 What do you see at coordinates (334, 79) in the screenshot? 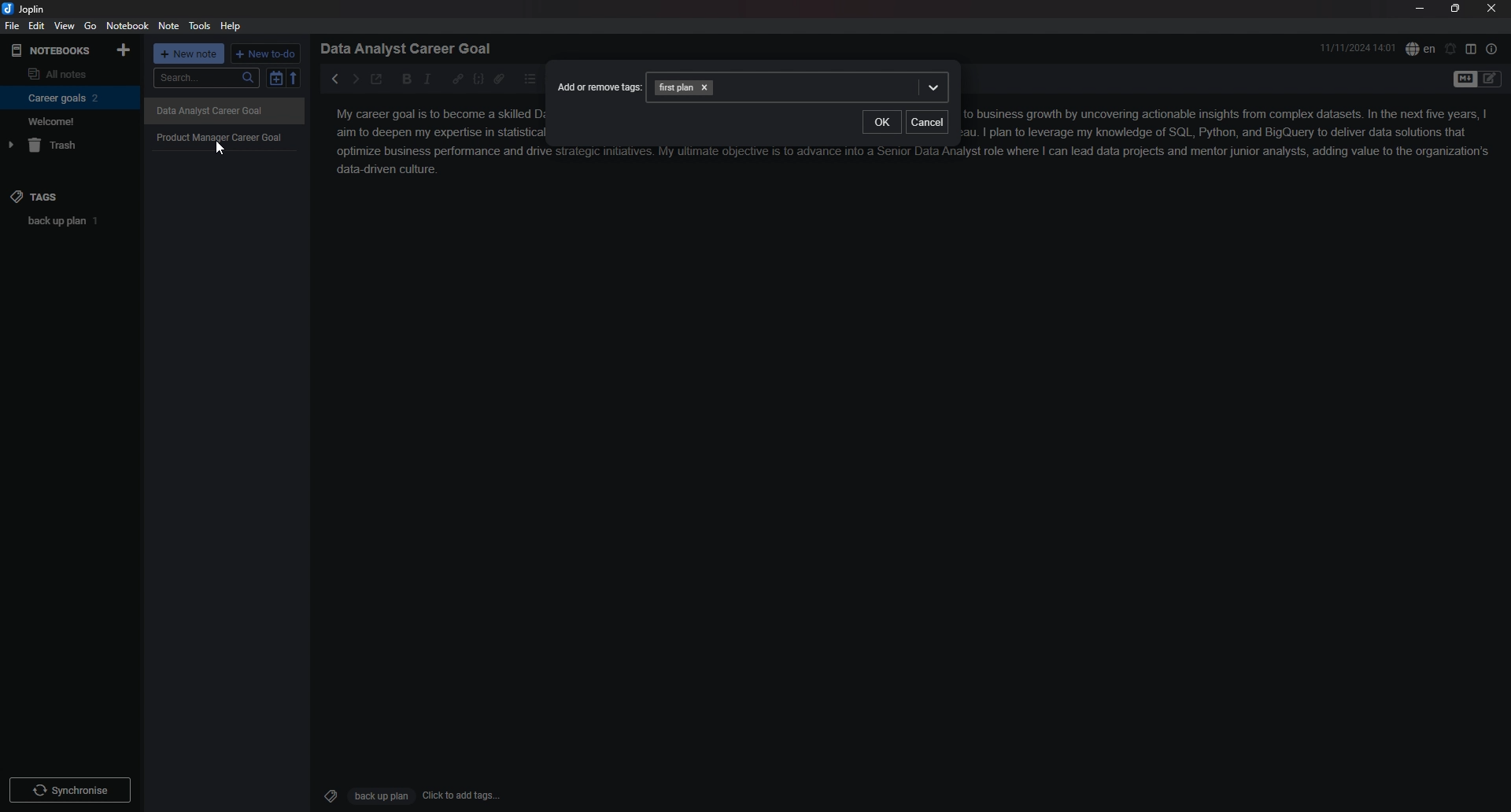
I see `previous` at bounding box center [334, 79].